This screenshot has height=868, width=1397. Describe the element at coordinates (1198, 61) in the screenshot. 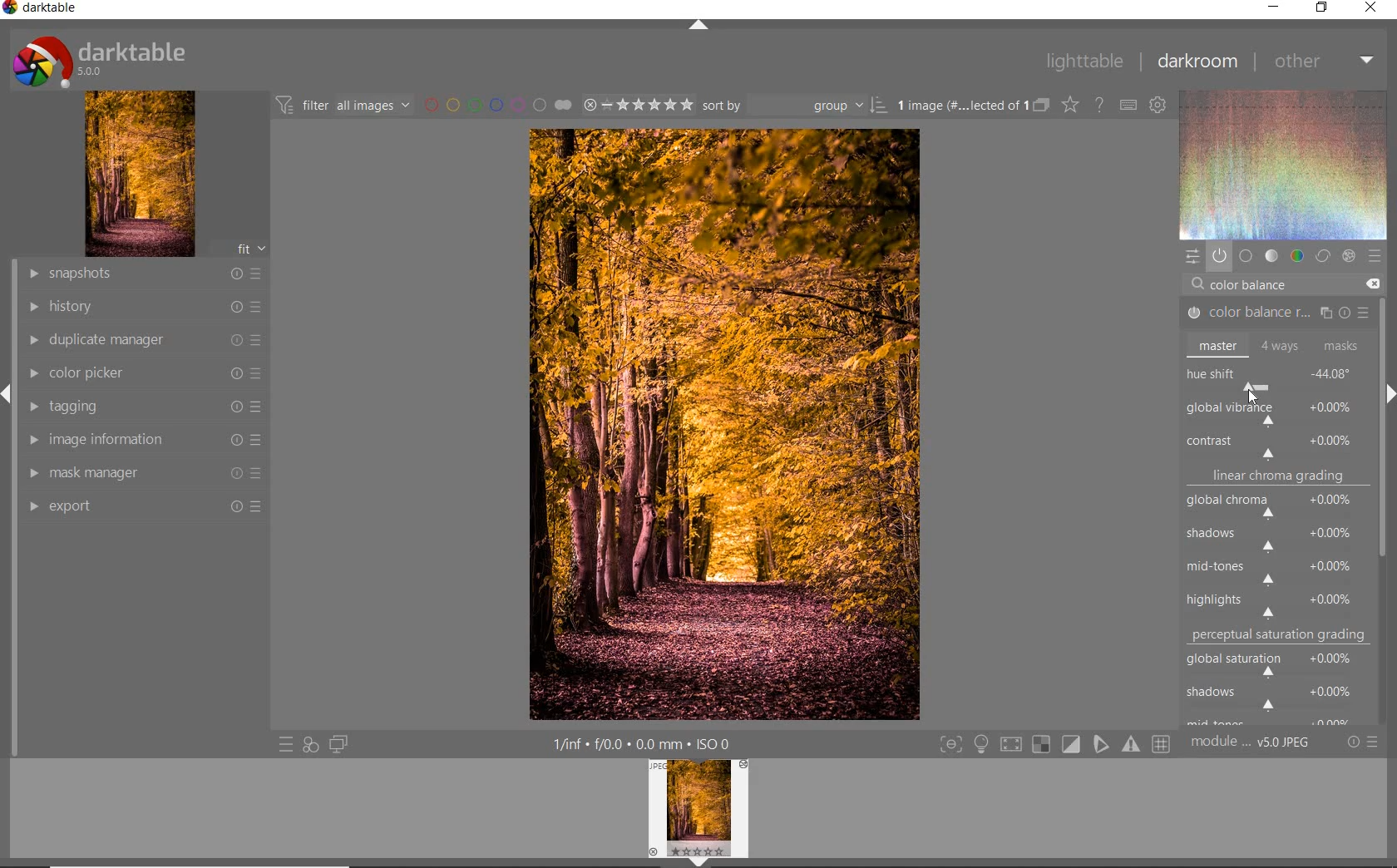

I see `darkroom` at that location.